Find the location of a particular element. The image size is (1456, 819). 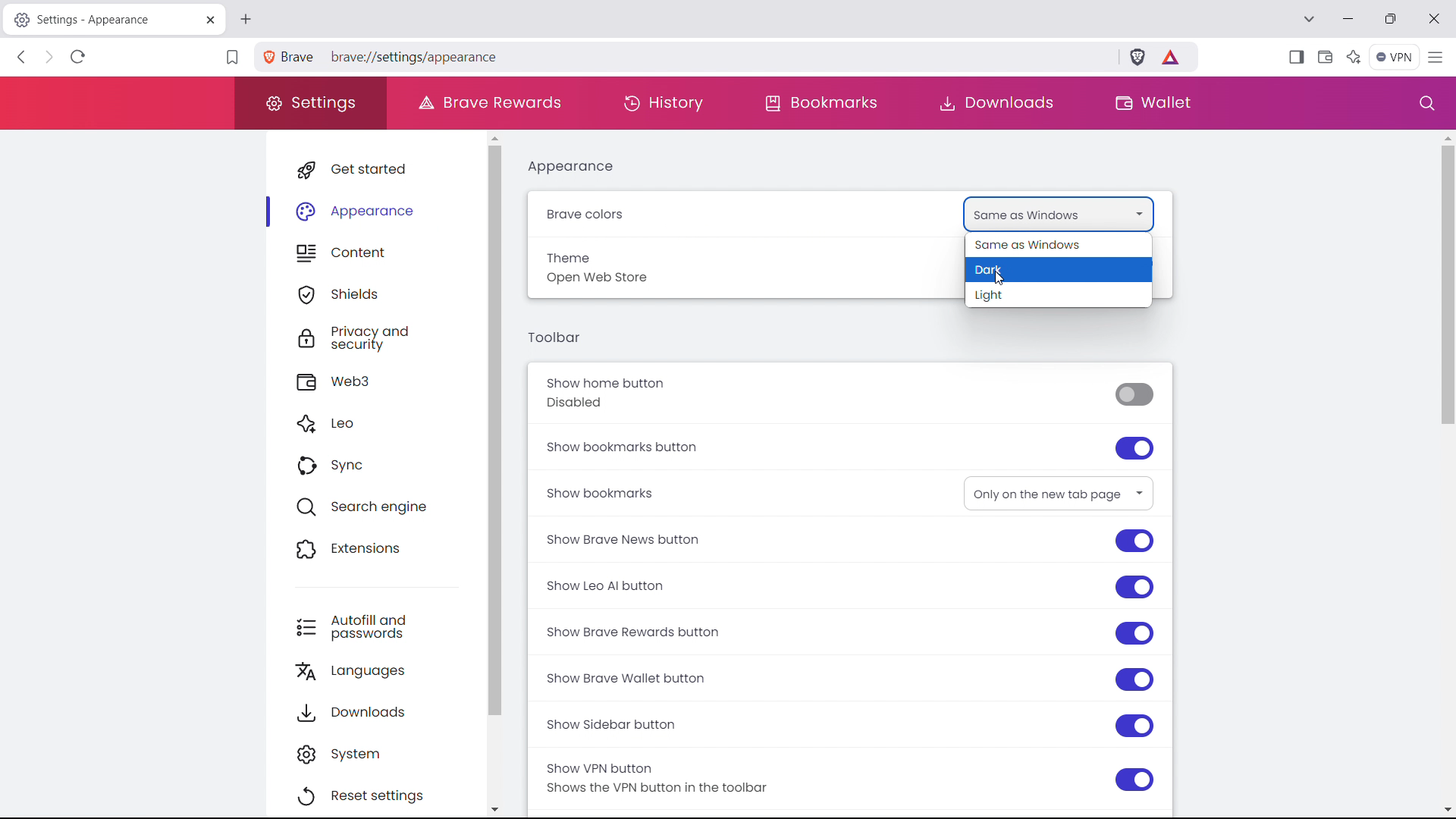

show VPN button Shows the VPN button in the toolbar is located at coordinates (846, 777).